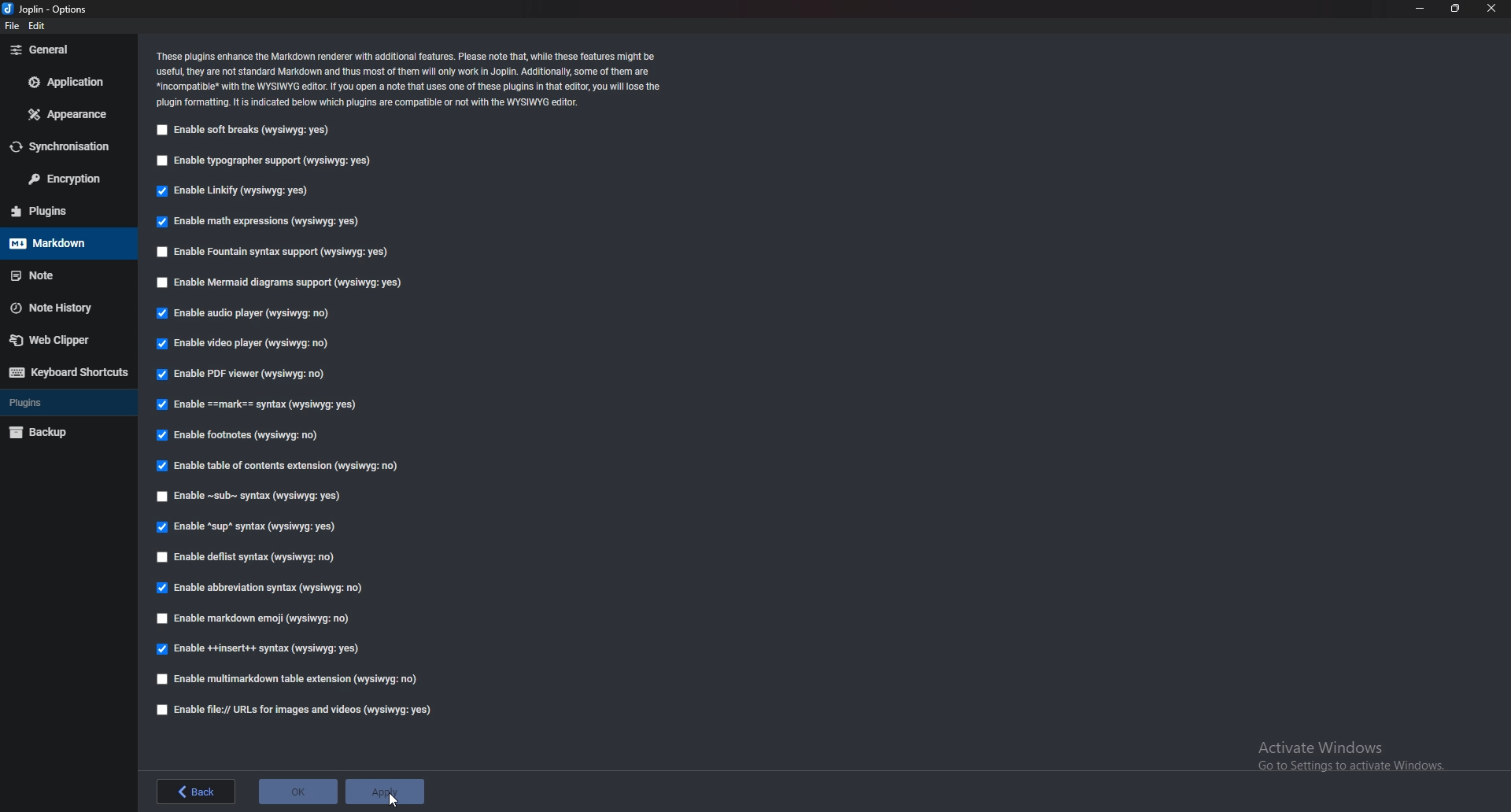 The width and height of the screenshot is (1511, 812). I want to click on enable deflist syntax, so click(250, 559).